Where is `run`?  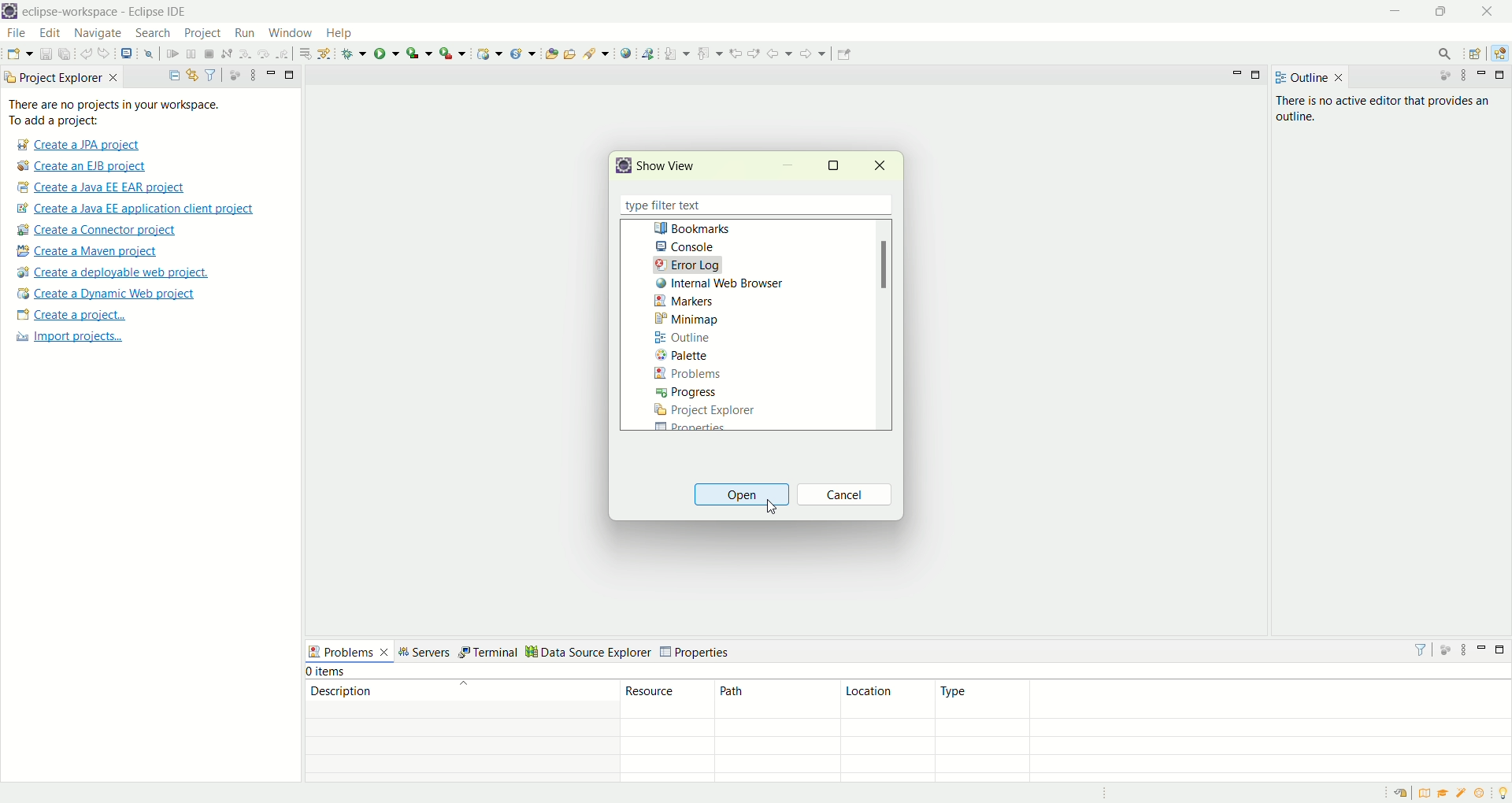 run is located at coordinates (387, 52).